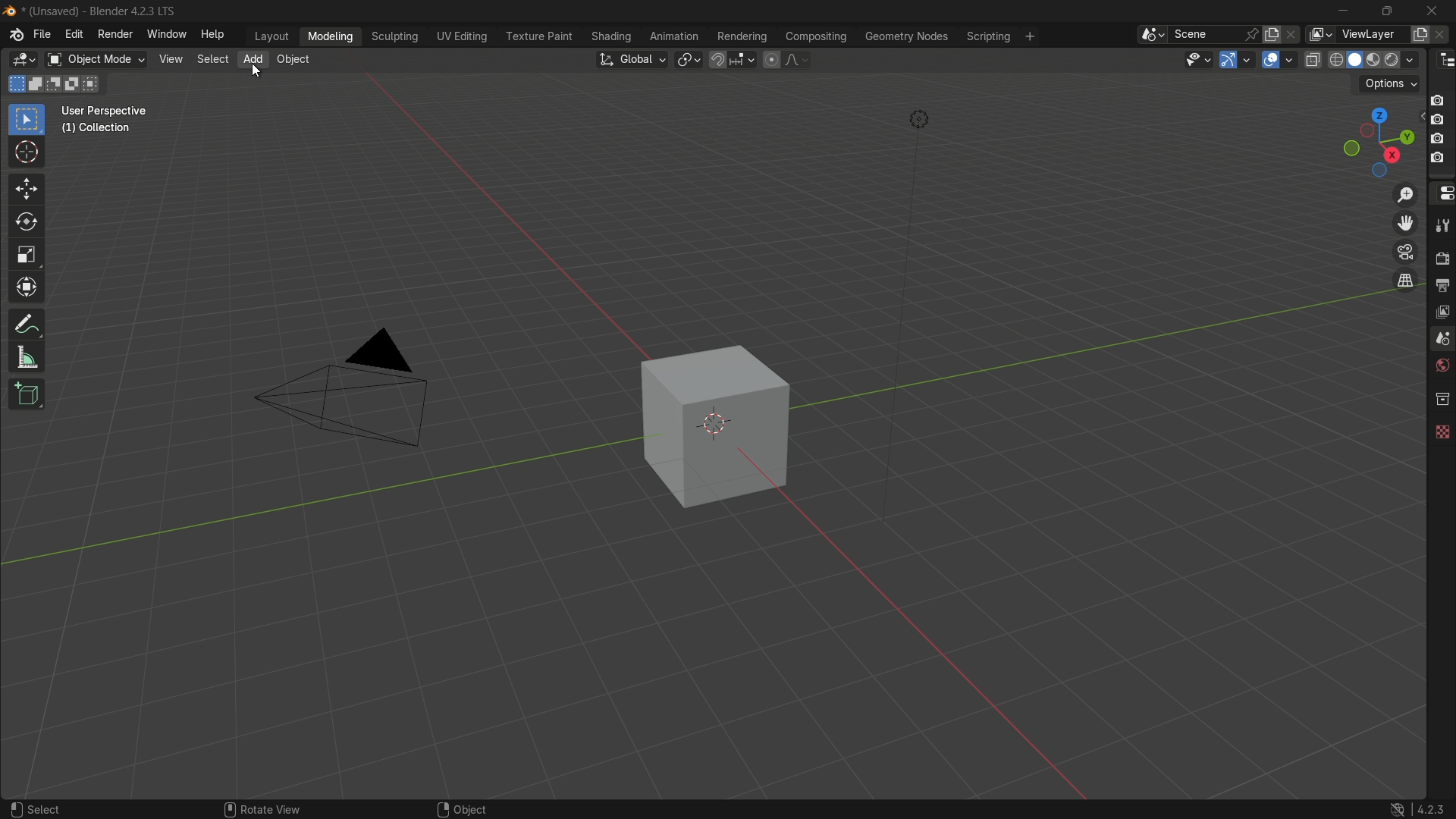 The width and height of the screenshot is (1456, 819). I want to click on animation menu, so click(676, 36).